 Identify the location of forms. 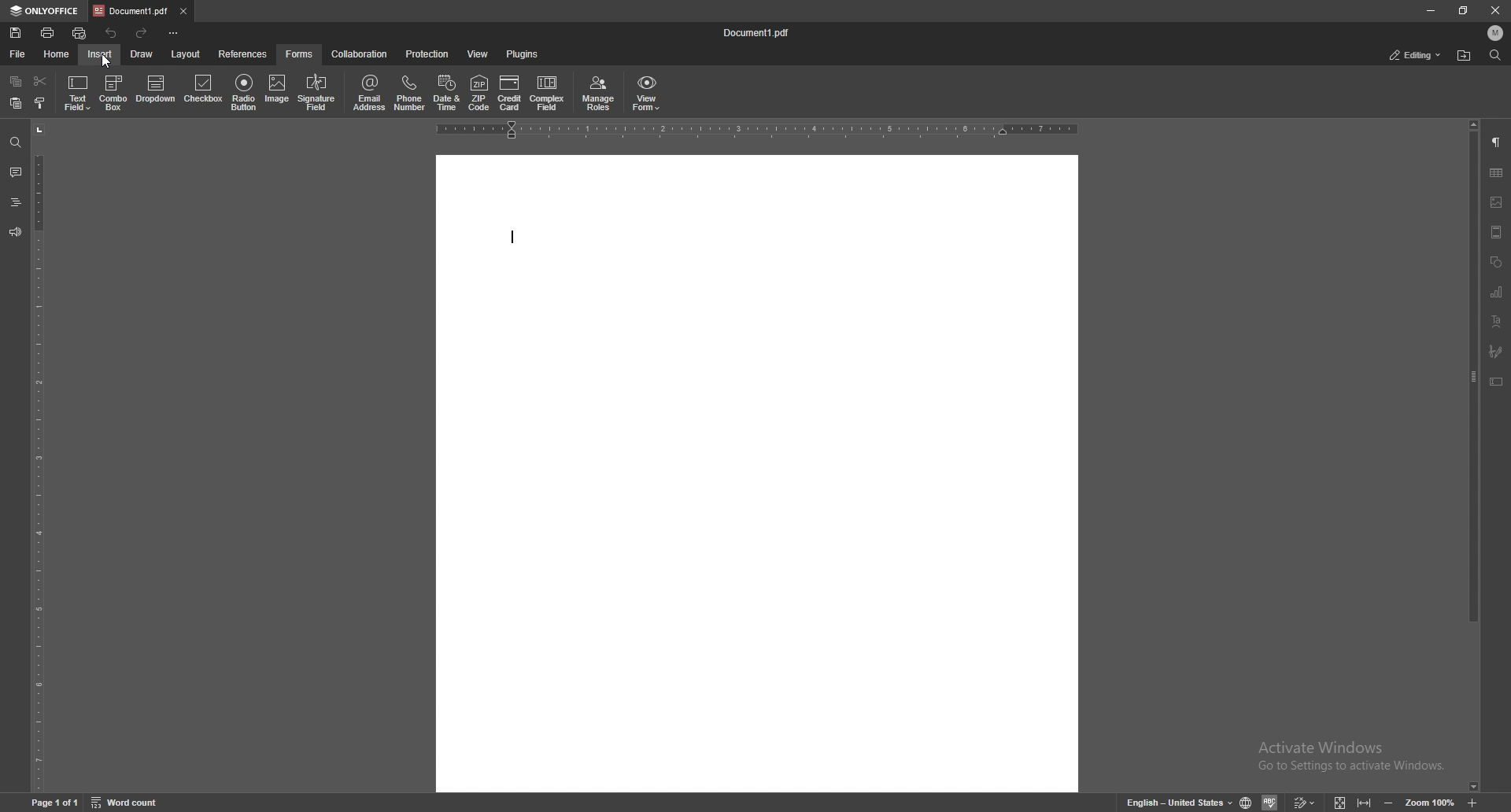
(299, 54).